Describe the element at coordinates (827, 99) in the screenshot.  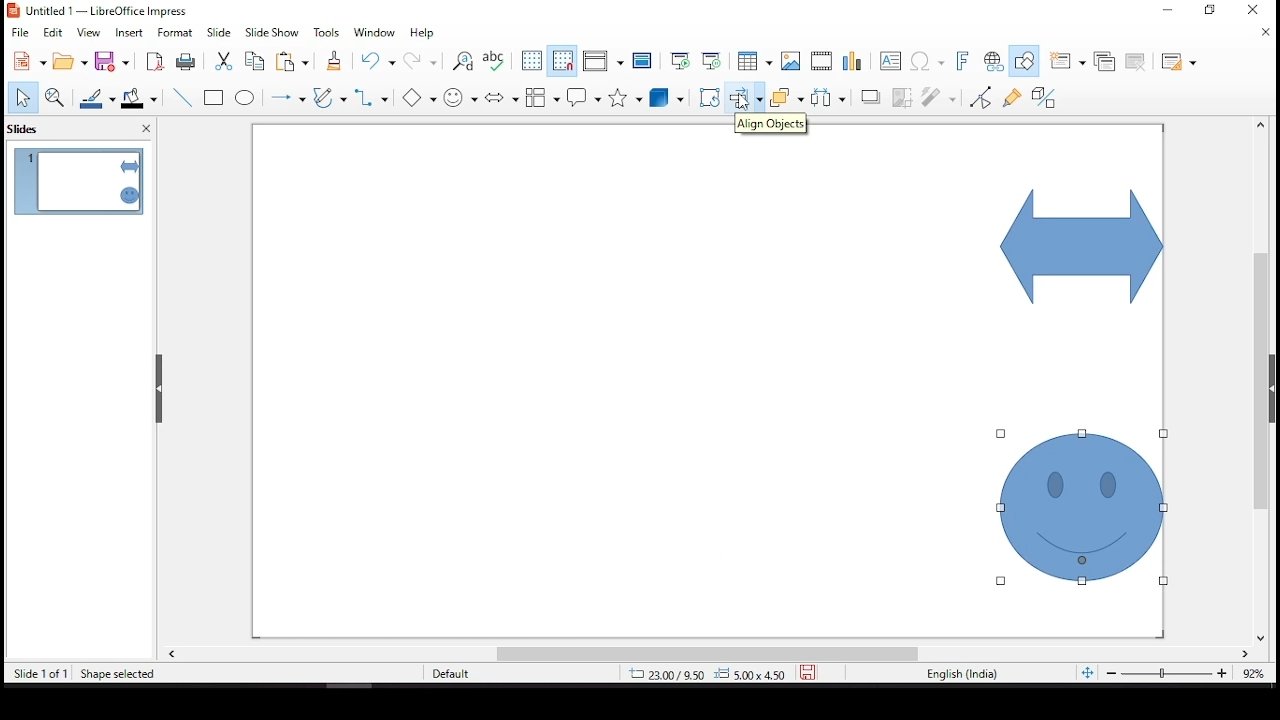
I see `distribute` at that location.